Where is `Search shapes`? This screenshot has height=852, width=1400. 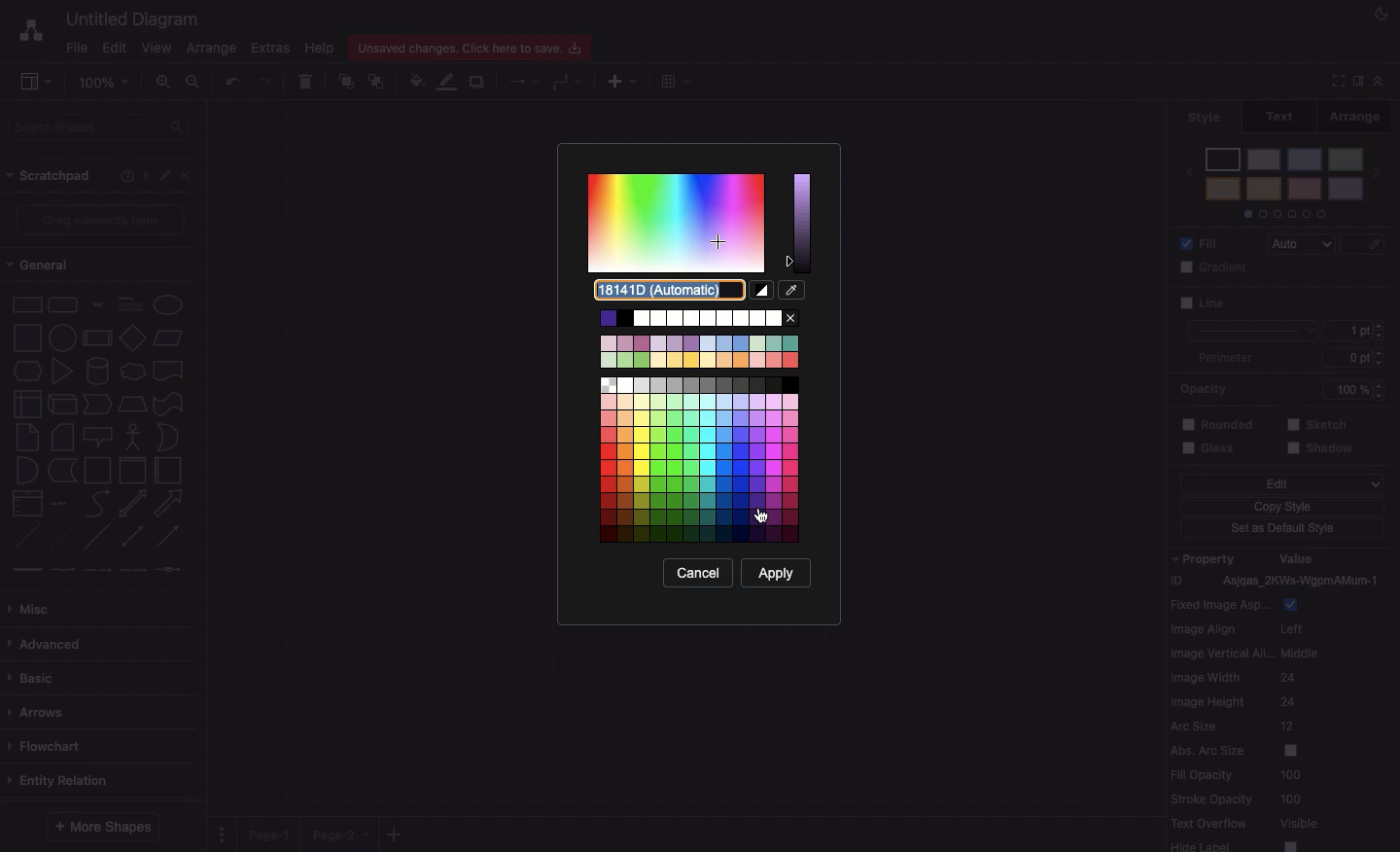 Search shapes is located at coordinates (101, 125).